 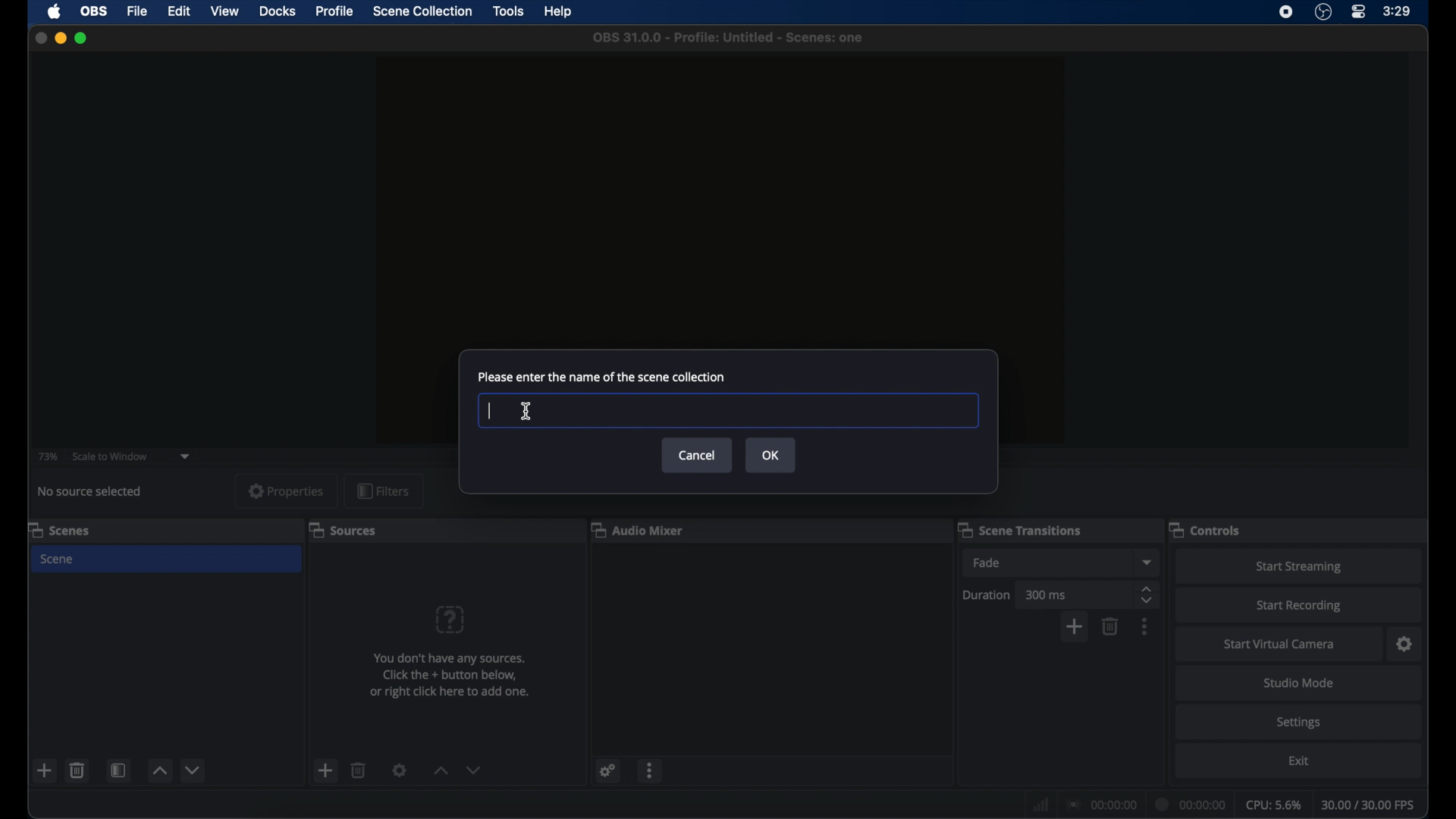 What do you see at coordinates (987, 563) in the screenshot?
I see `fade` at bounding box center [987, 563].